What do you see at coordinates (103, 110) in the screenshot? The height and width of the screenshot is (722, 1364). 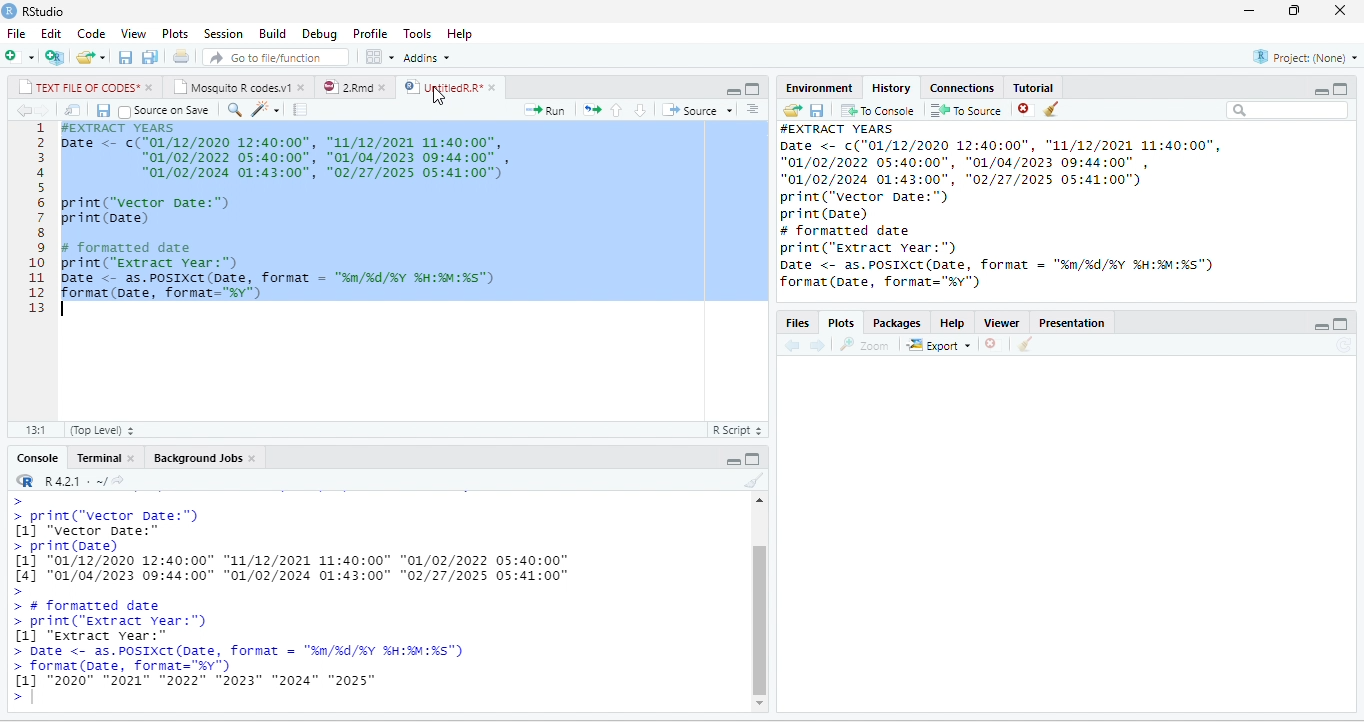 I see `save` at bounding box center [103, 110].